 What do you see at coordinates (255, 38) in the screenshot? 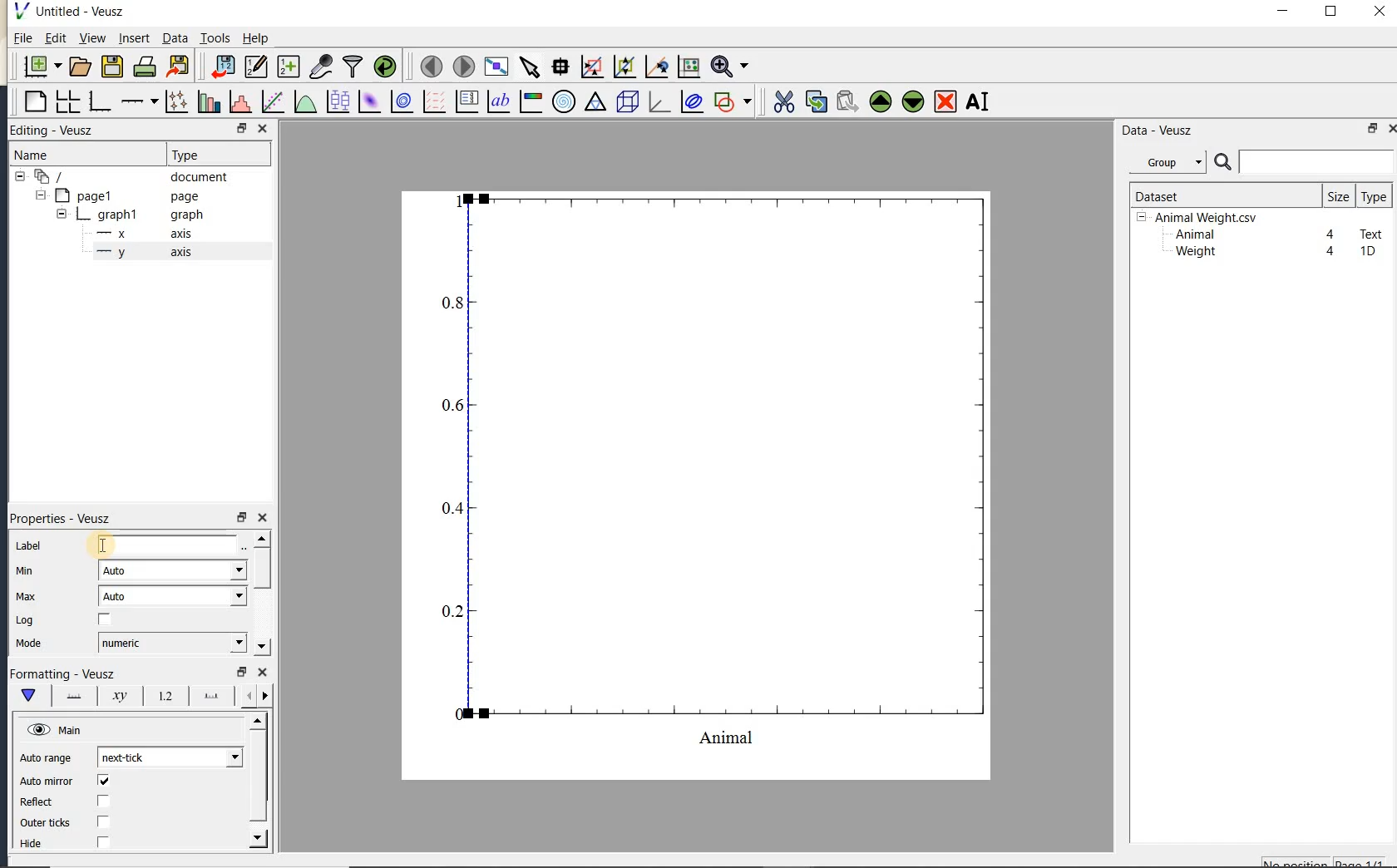
I see `Help` at bounding box center [255, 38].